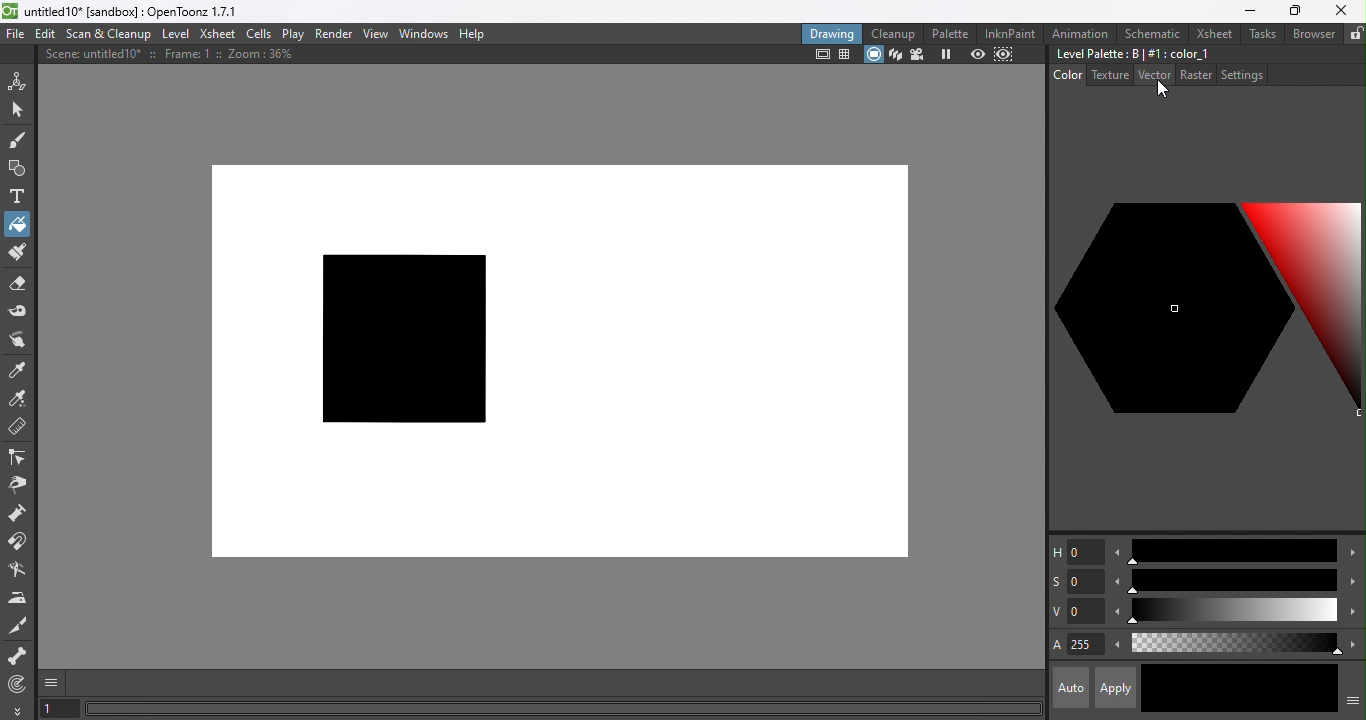 The image size is (1366, 720). Describe the element at coordinates (139, 12) in the screenshot. I see `File name` at that location.